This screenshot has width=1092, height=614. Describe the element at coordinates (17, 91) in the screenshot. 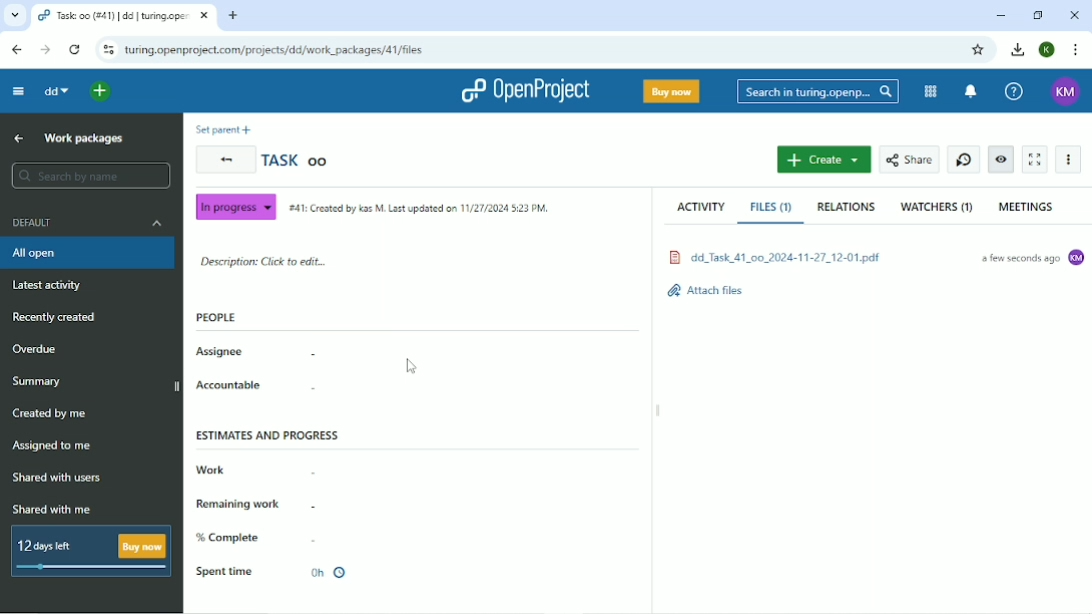

I see `Collapse project menu` at that location.